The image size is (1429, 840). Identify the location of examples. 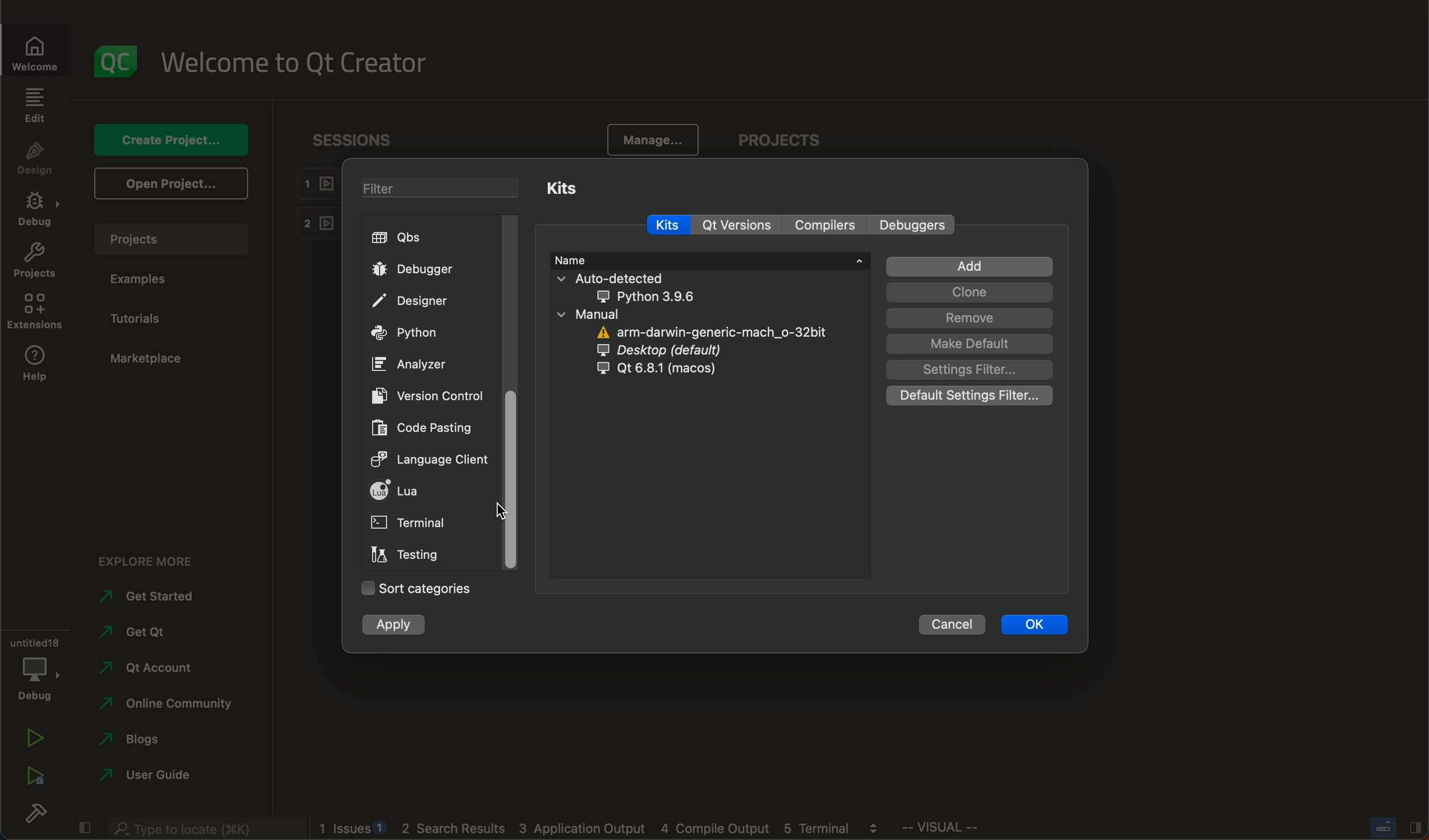
(150, 279).